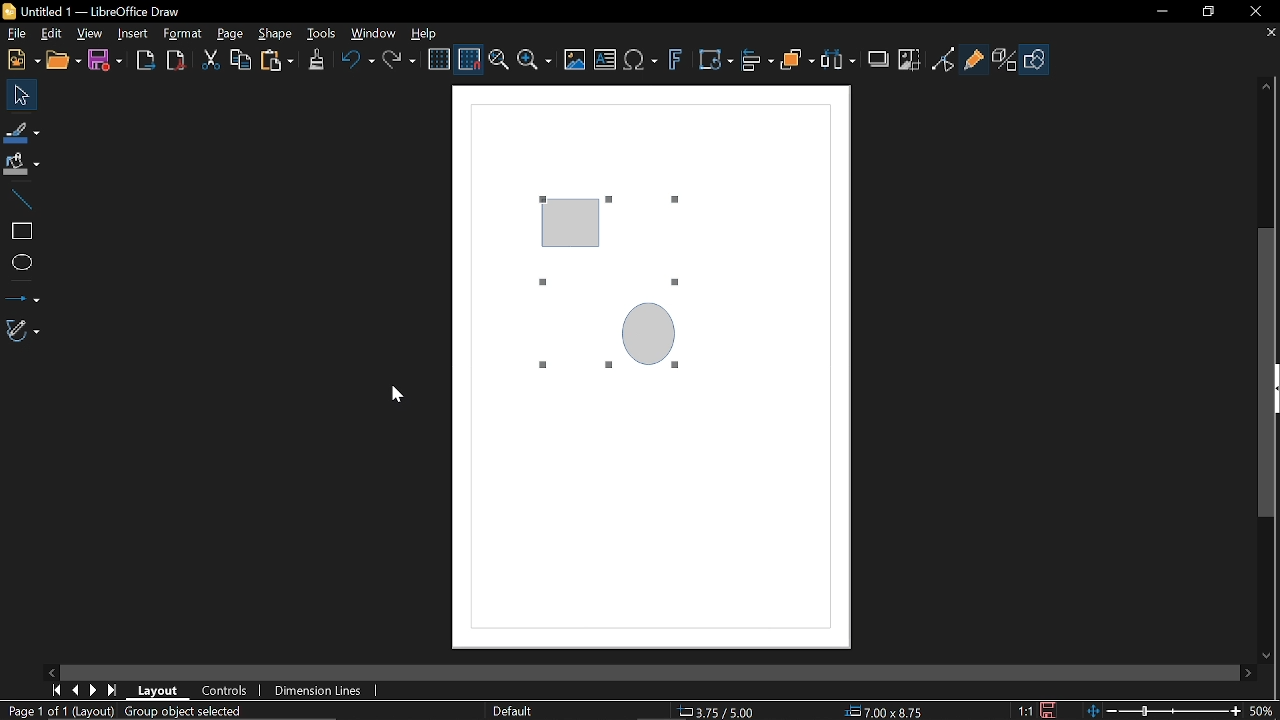  Describe the element at coordinates (470, 59) in the screenshot. I see `Snap to grid` at that location.